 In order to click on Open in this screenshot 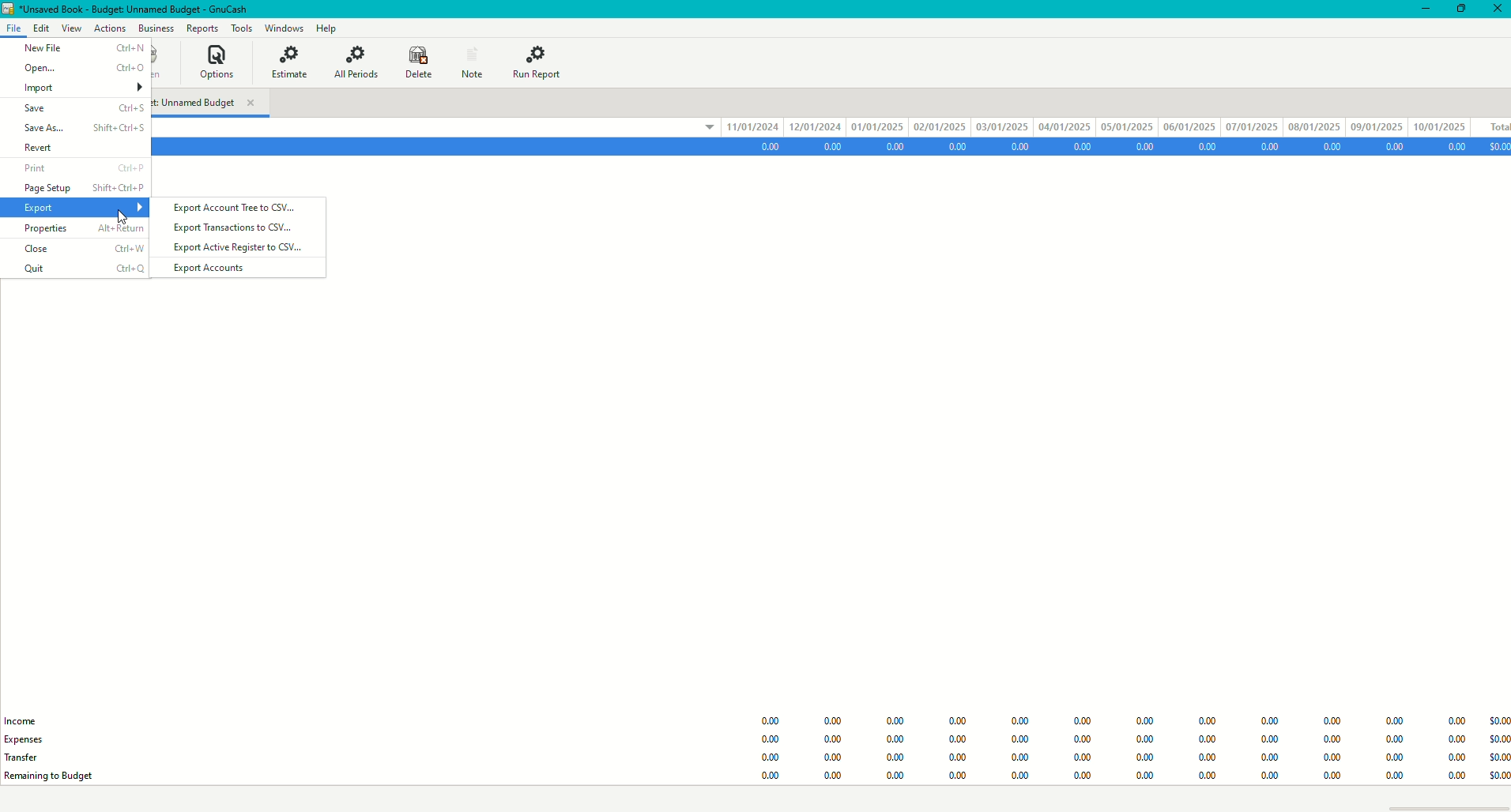, I will do `click(81, 67)`.